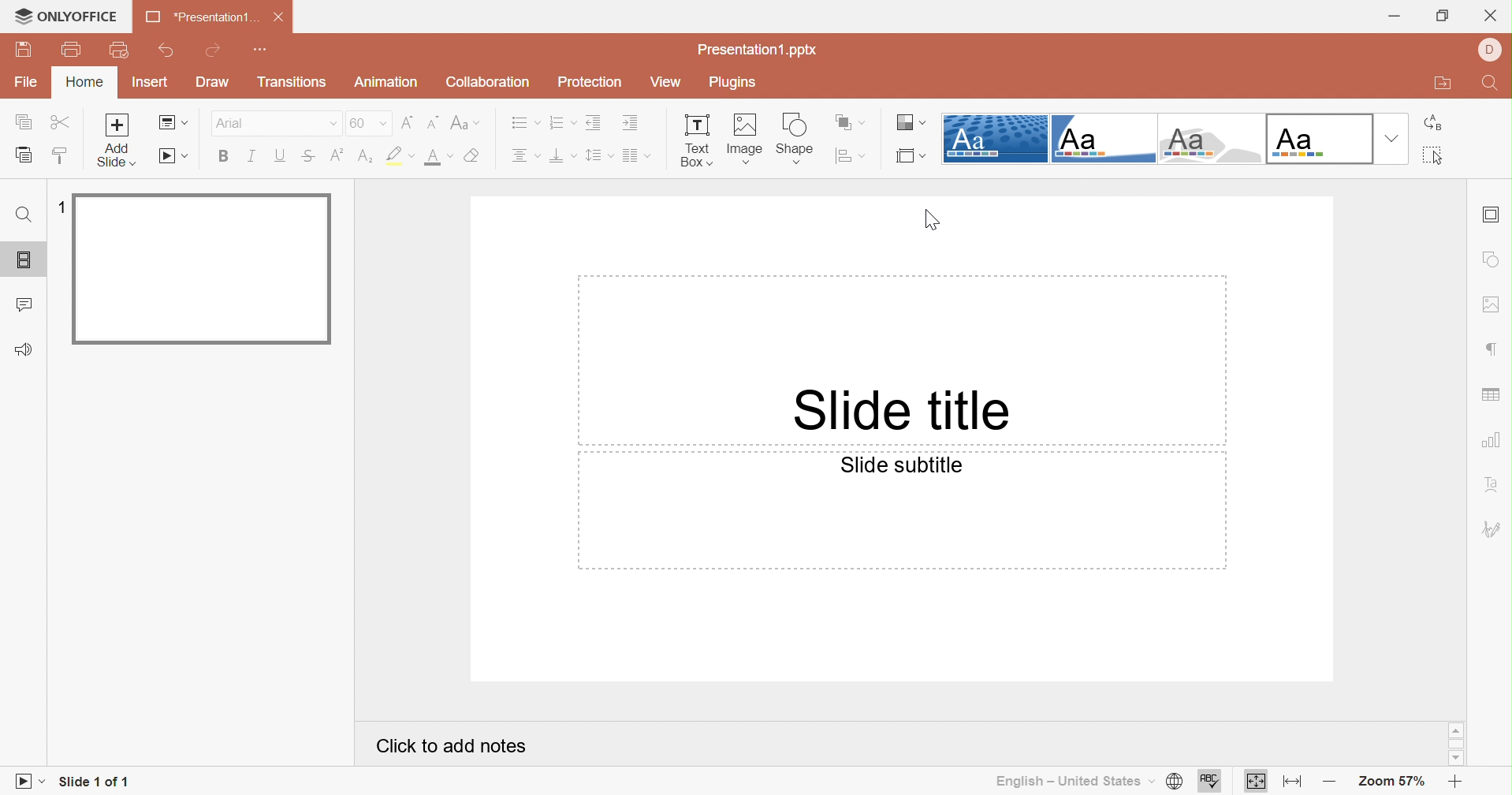 Image resolution: width=1512 pixels, height=795 pixels. Describe the element at coordinates (1446, 84) in the screenshot. I see `Open file location` at that location.